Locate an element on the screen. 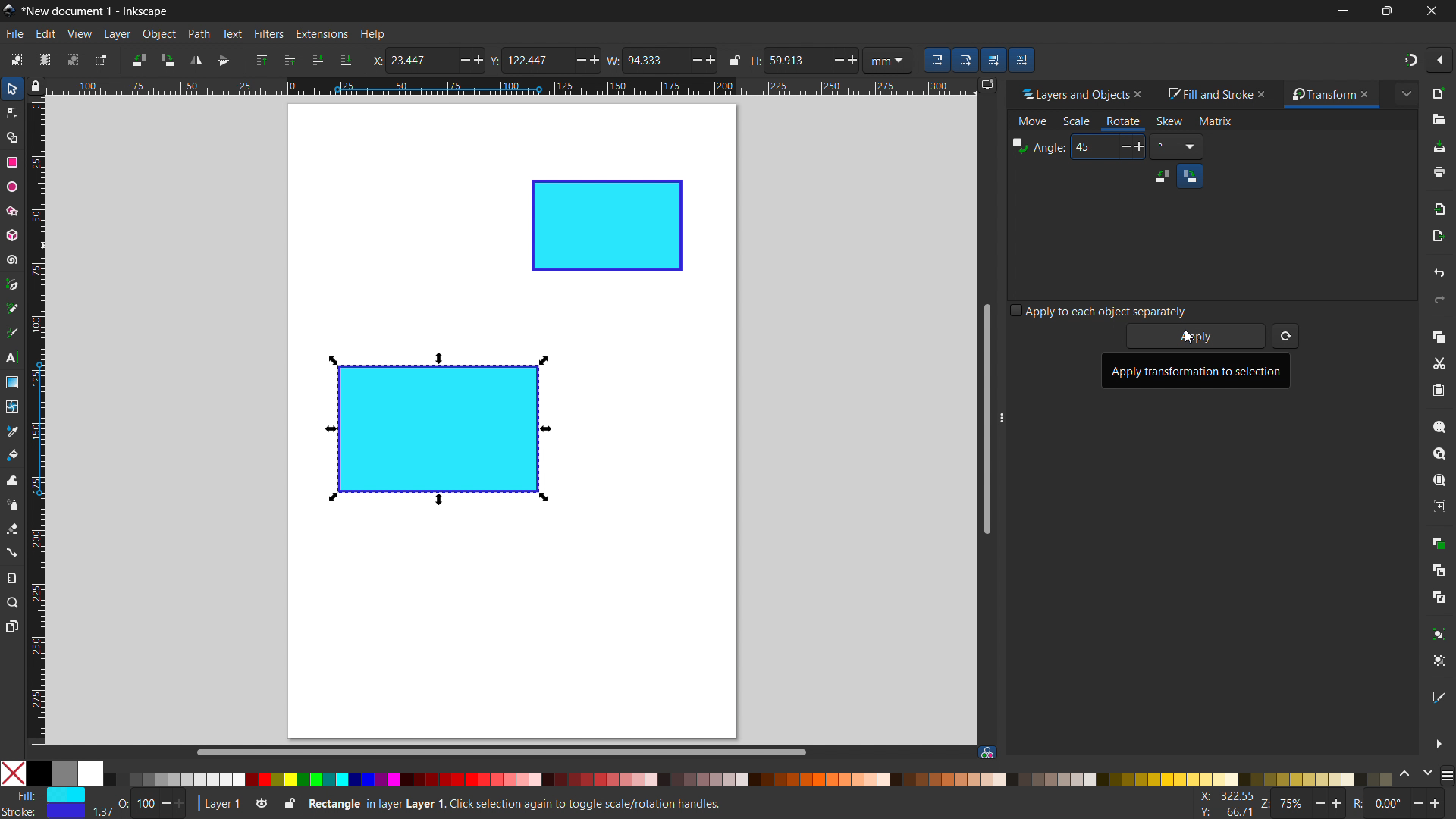  reset is located at coordinates (1285, 336).